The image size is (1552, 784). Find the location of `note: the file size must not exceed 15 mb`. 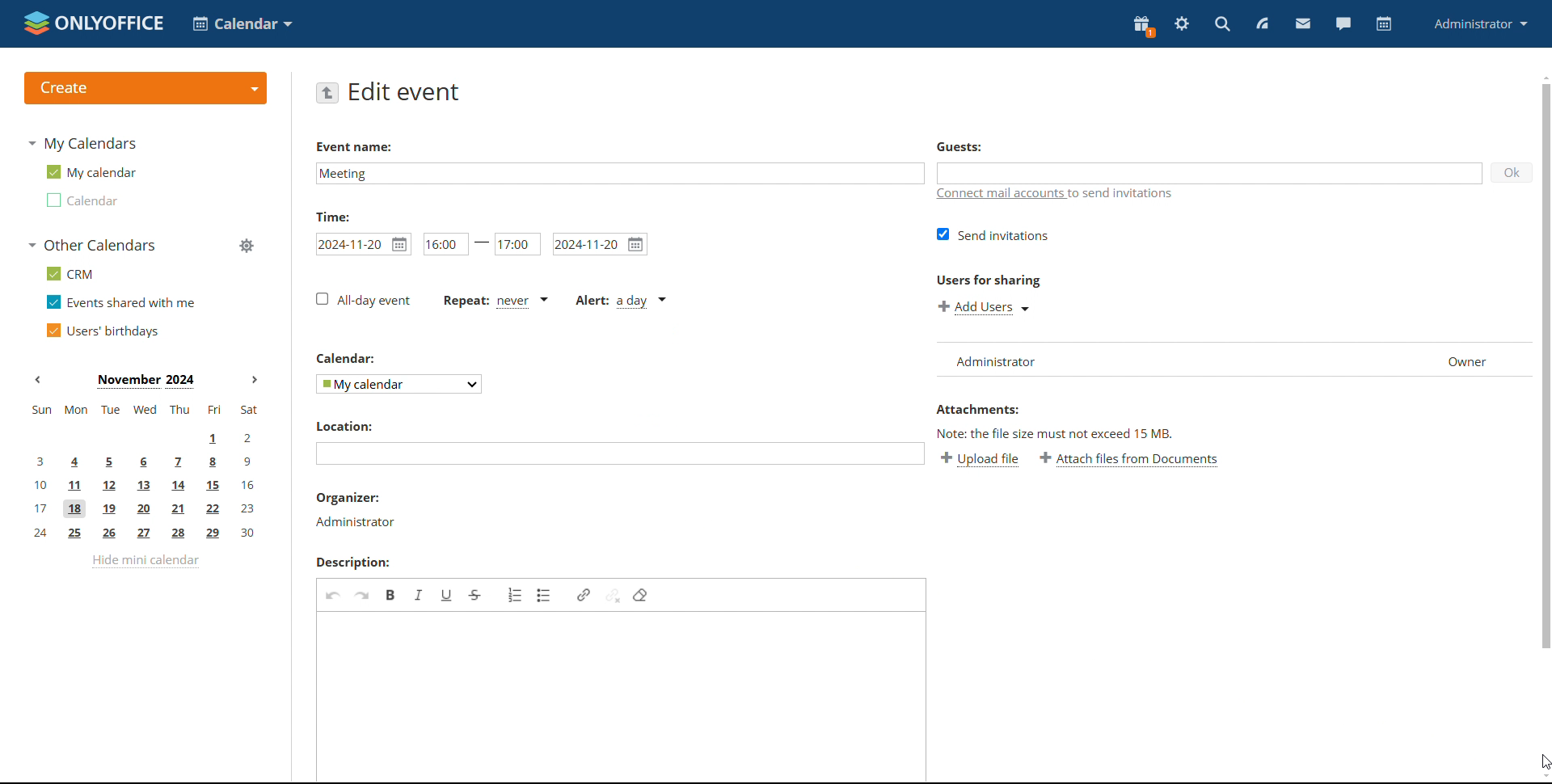

note: the file size must not exceed 15 mb is located at coordinates (1056, 435).